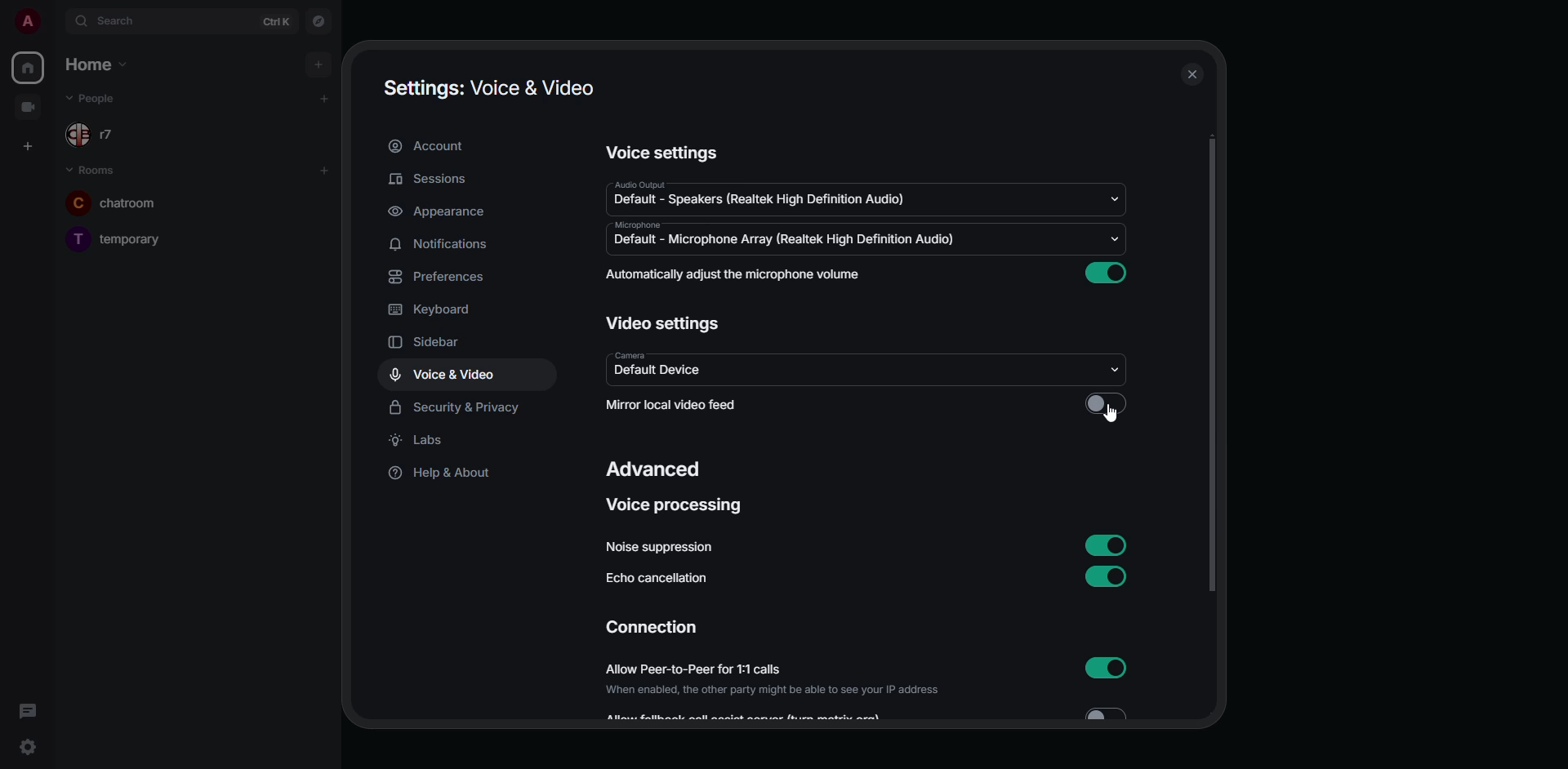 The height and width of the screenshot is (769, 1568). Describe the element at coordinates (654, 627) in the screenshot. I see `connection` at that location.